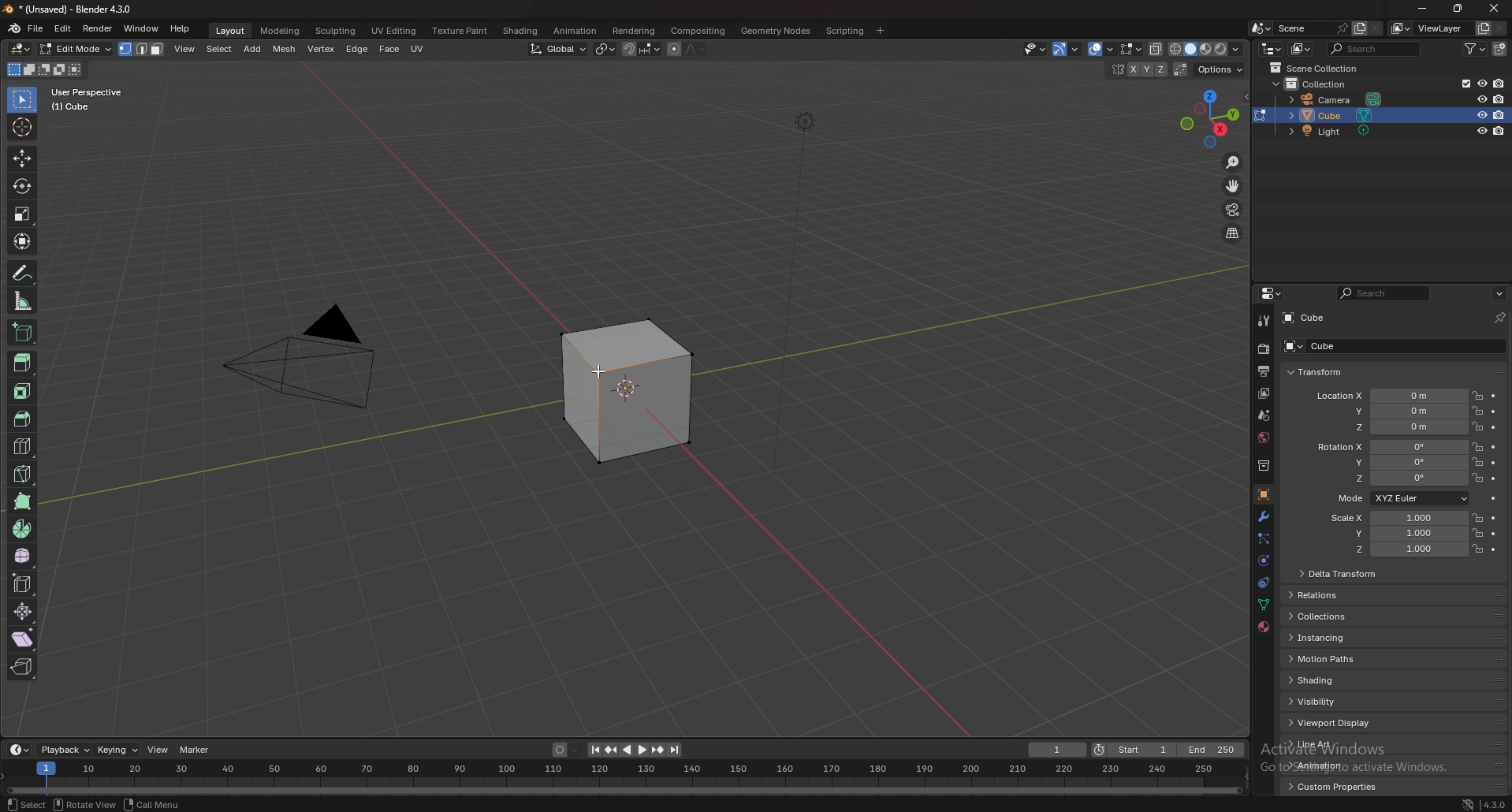 The height and width of the screenshot is (812, 1512). What do you see at coordinates (1342, 131) in the screenshot?
I see `light` at bounding box center [1342, 131].